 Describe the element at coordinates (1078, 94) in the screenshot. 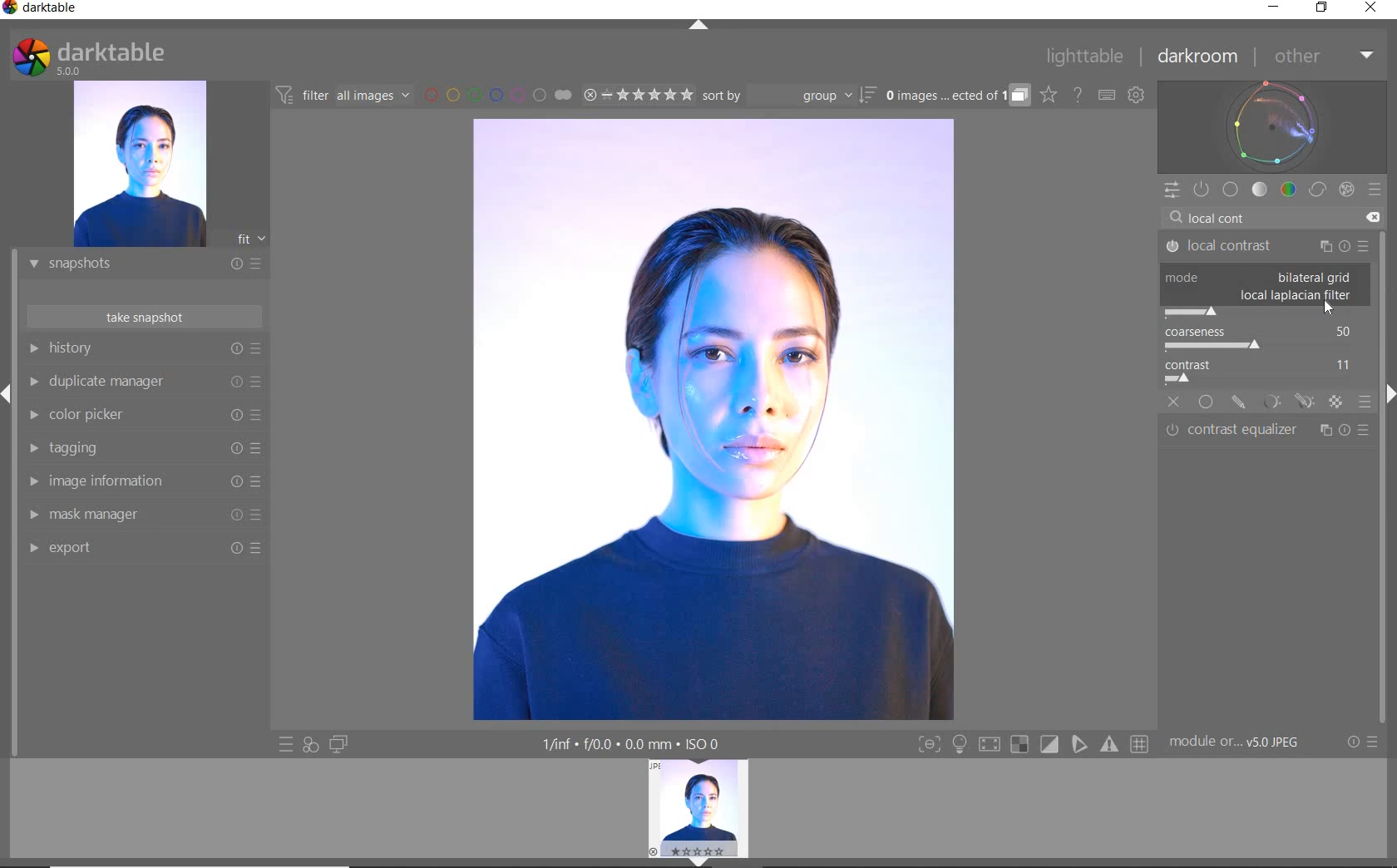

I see `HELP ONLINE` at that location.